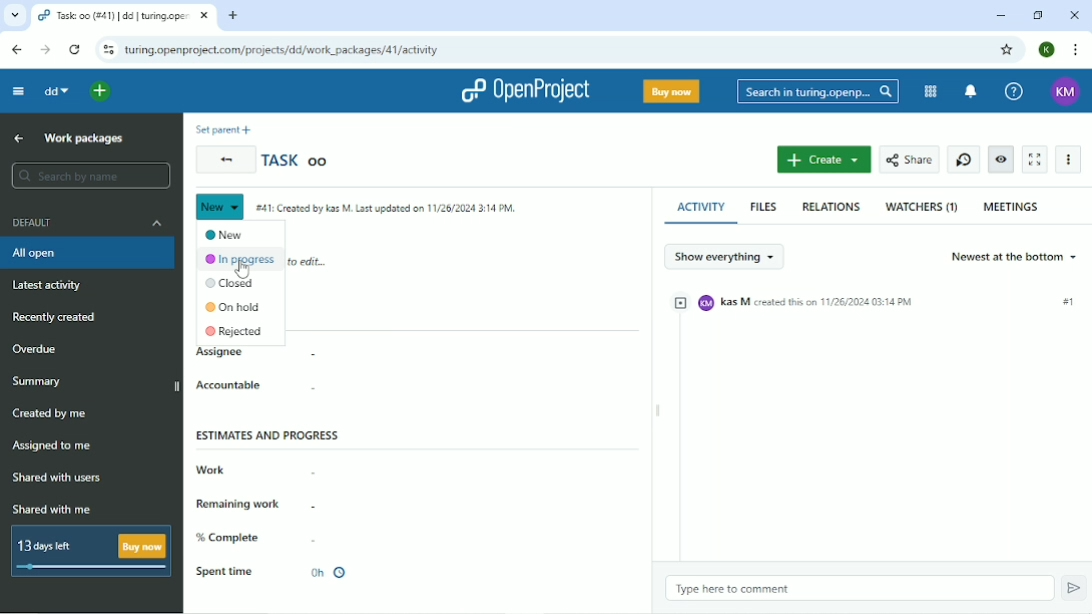  What do you see at coordinates (725, 255) in the screenshot?
I see `Show everything` at bounding box center [725, 255].